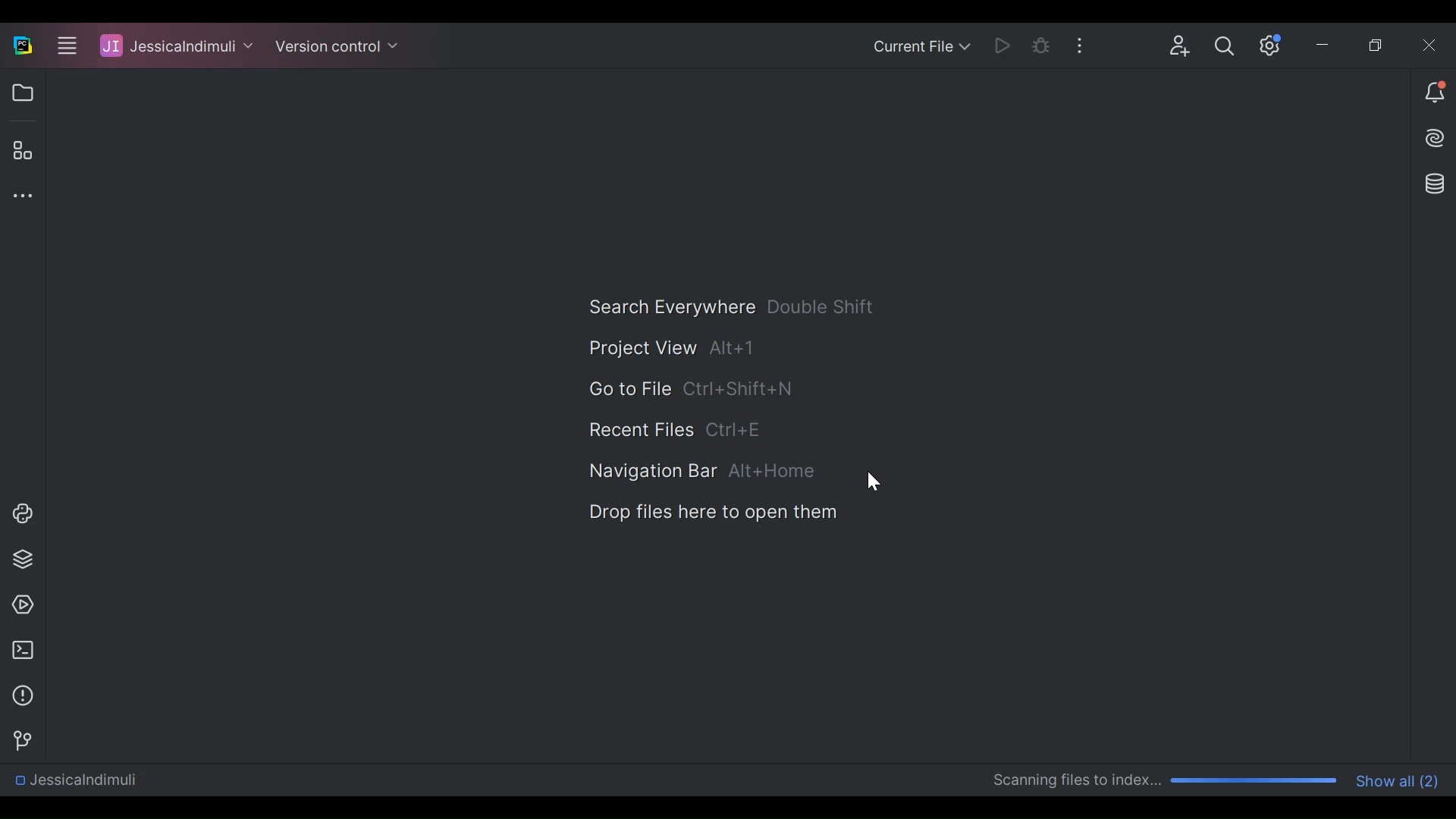  I want to click on Close, so click(1424, 42).